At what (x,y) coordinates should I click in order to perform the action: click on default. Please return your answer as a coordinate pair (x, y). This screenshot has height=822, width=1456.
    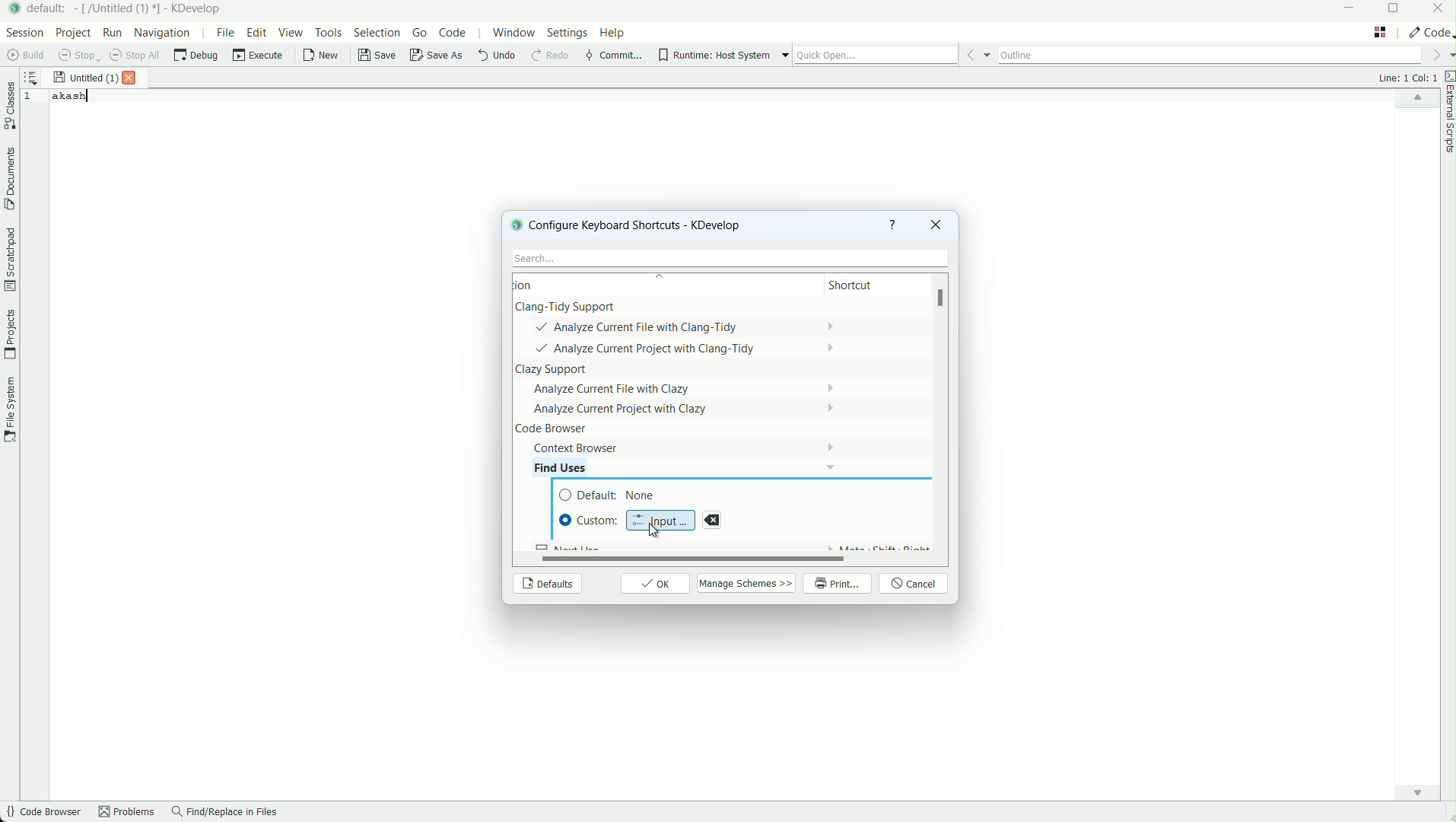
    Looking at the image, I should click on (613, 495).